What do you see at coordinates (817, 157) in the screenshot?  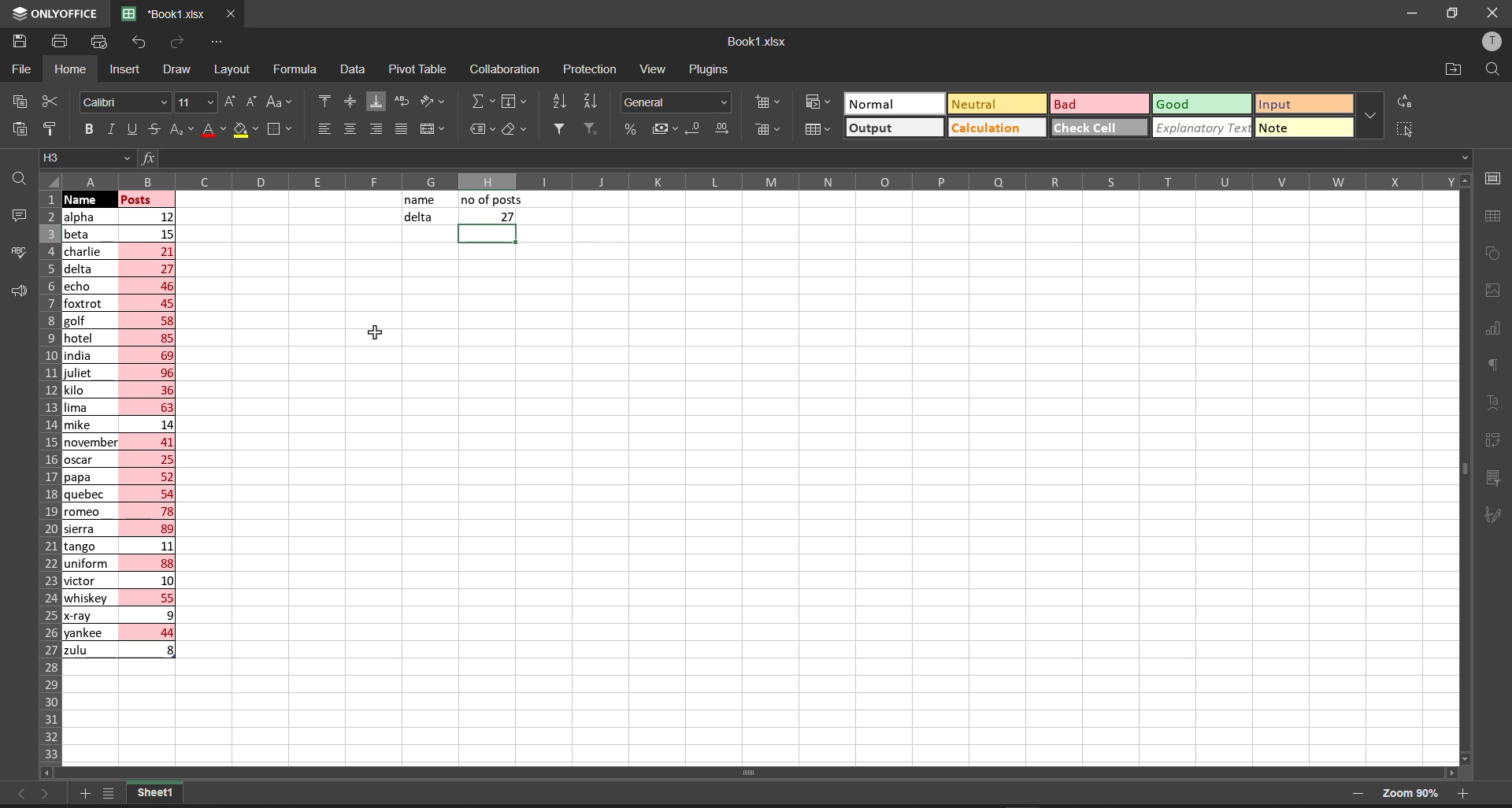 I see `formula bar` at bounding box center [817, 157].